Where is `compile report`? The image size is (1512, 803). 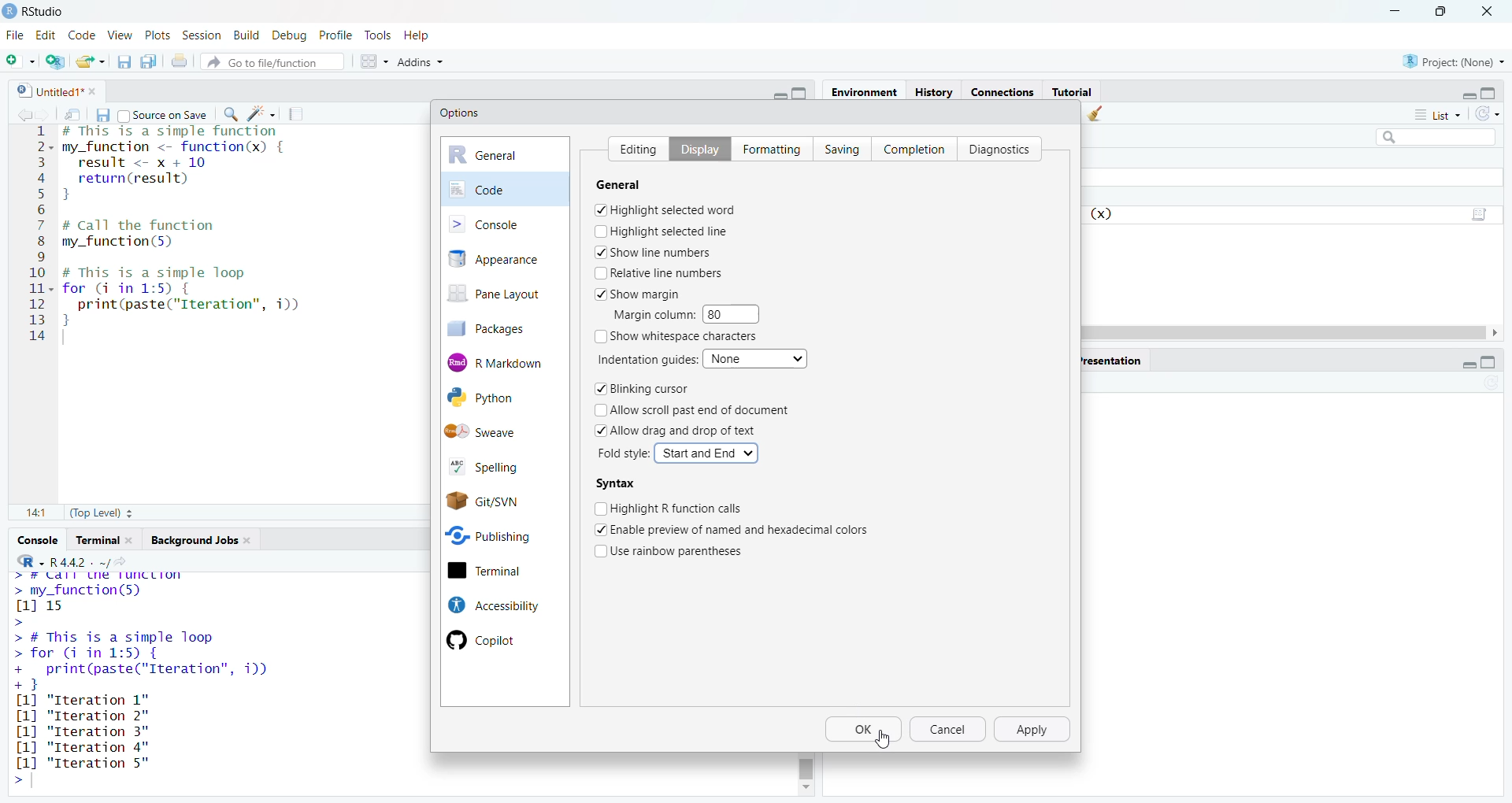 compile report is located at coordinates (300, 112).